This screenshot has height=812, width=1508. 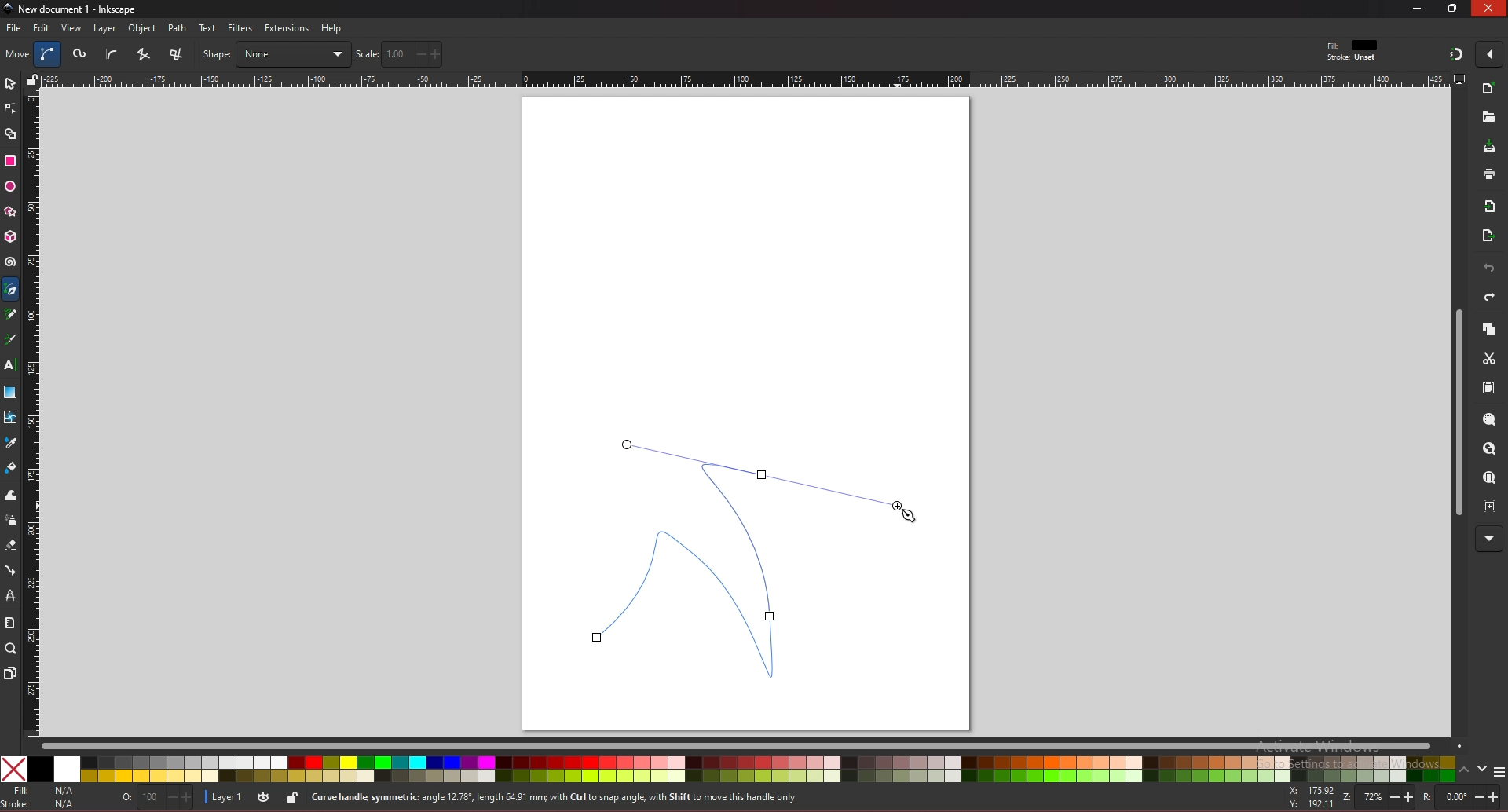 I want to click on x and y coordinates, so click(x=1310, y=797).